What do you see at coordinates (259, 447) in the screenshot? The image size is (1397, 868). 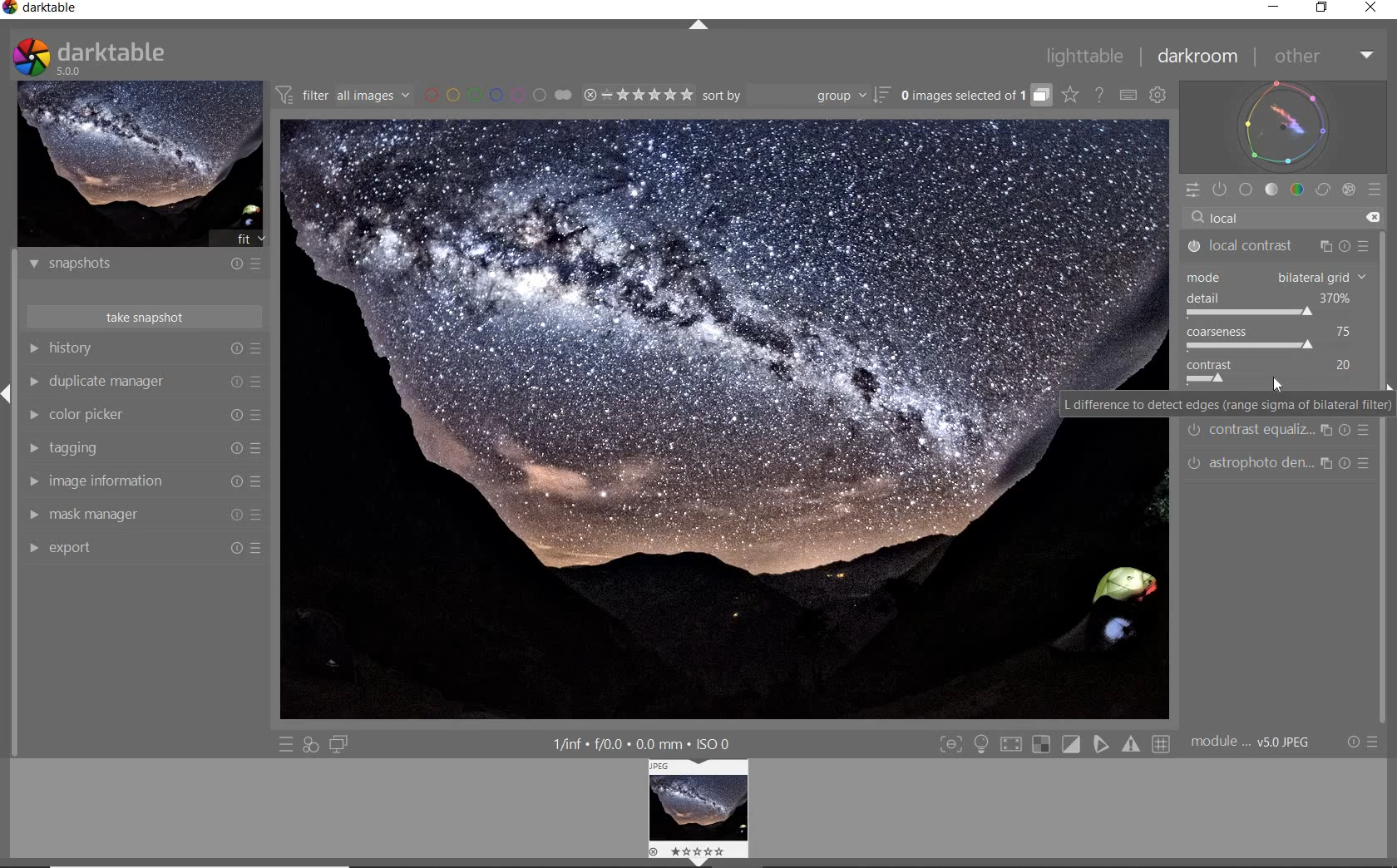 I see `Presets and preferences` at bounding box center [259, 447].